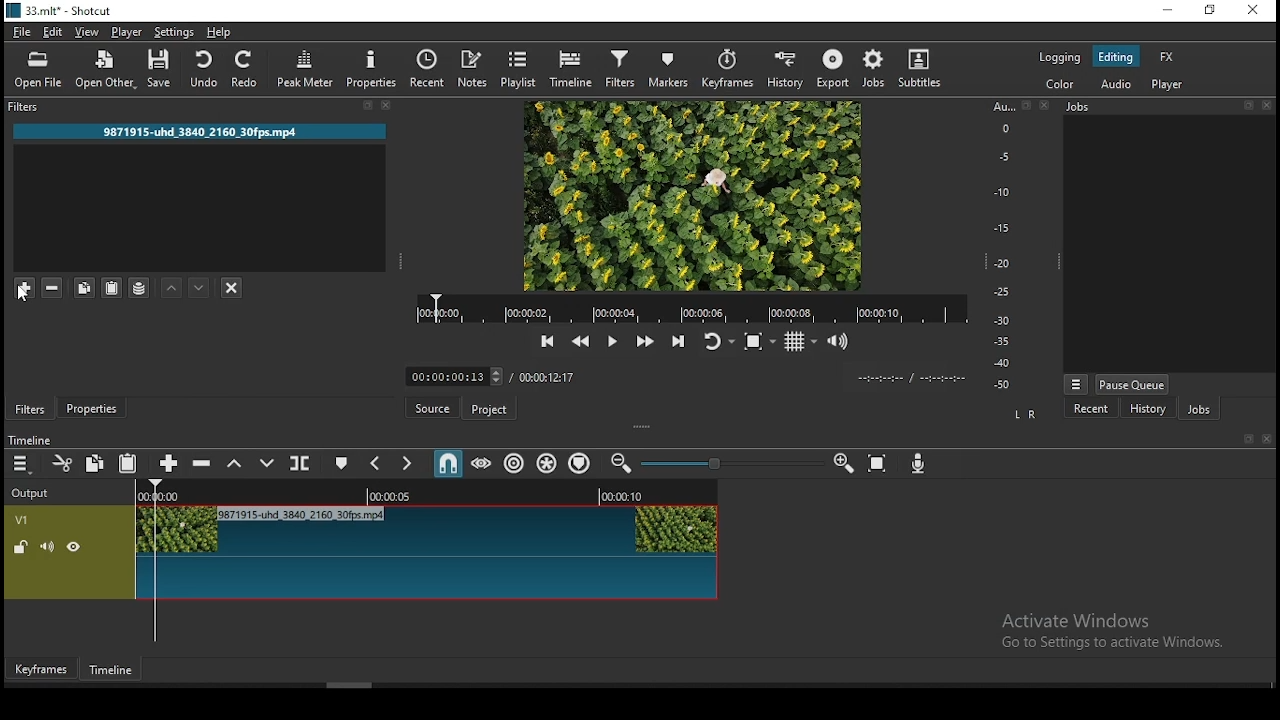 Image resolution: width=1280 pixels, height=720 pixels. What do you see at coordinates (233, 461) in the screenshot?
I see `lift` at bounding box center [233, 461].